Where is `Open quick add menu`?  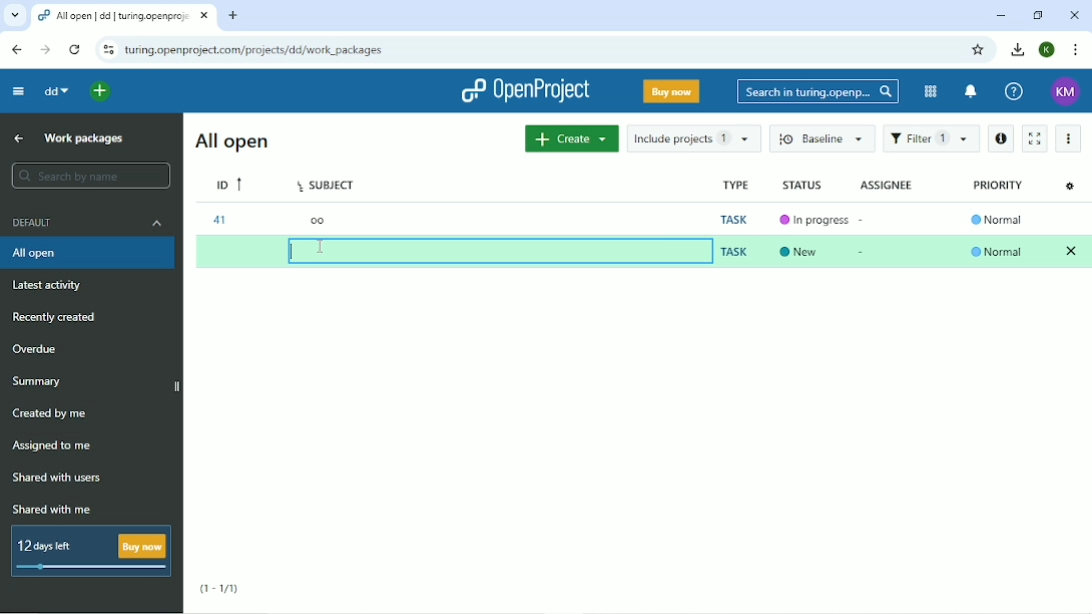 Open quick add menu is located at coordinates (100, 92).